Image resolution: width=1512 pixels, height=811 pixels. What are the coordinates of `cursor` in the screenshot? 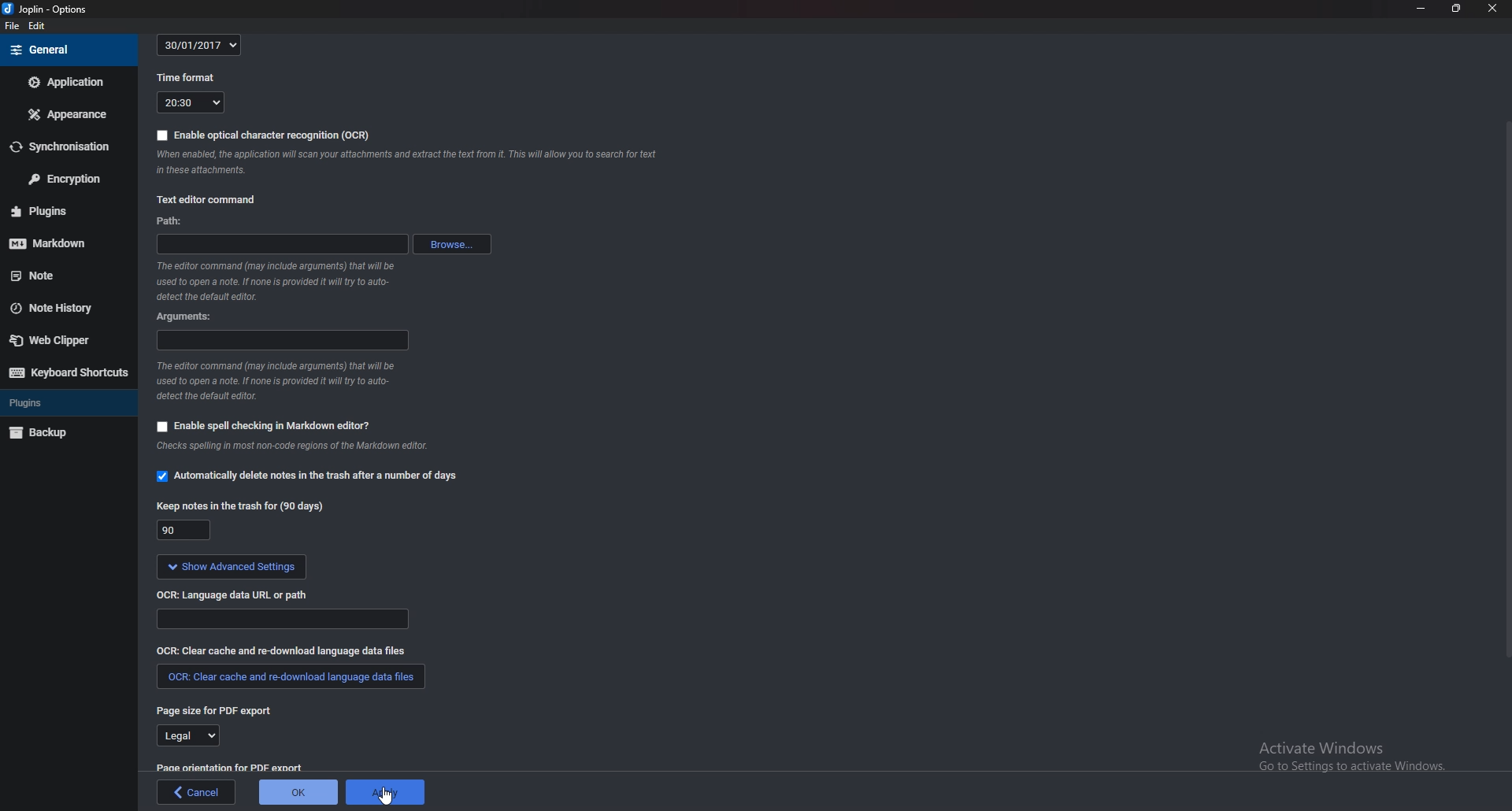 It's located at (384, 798).